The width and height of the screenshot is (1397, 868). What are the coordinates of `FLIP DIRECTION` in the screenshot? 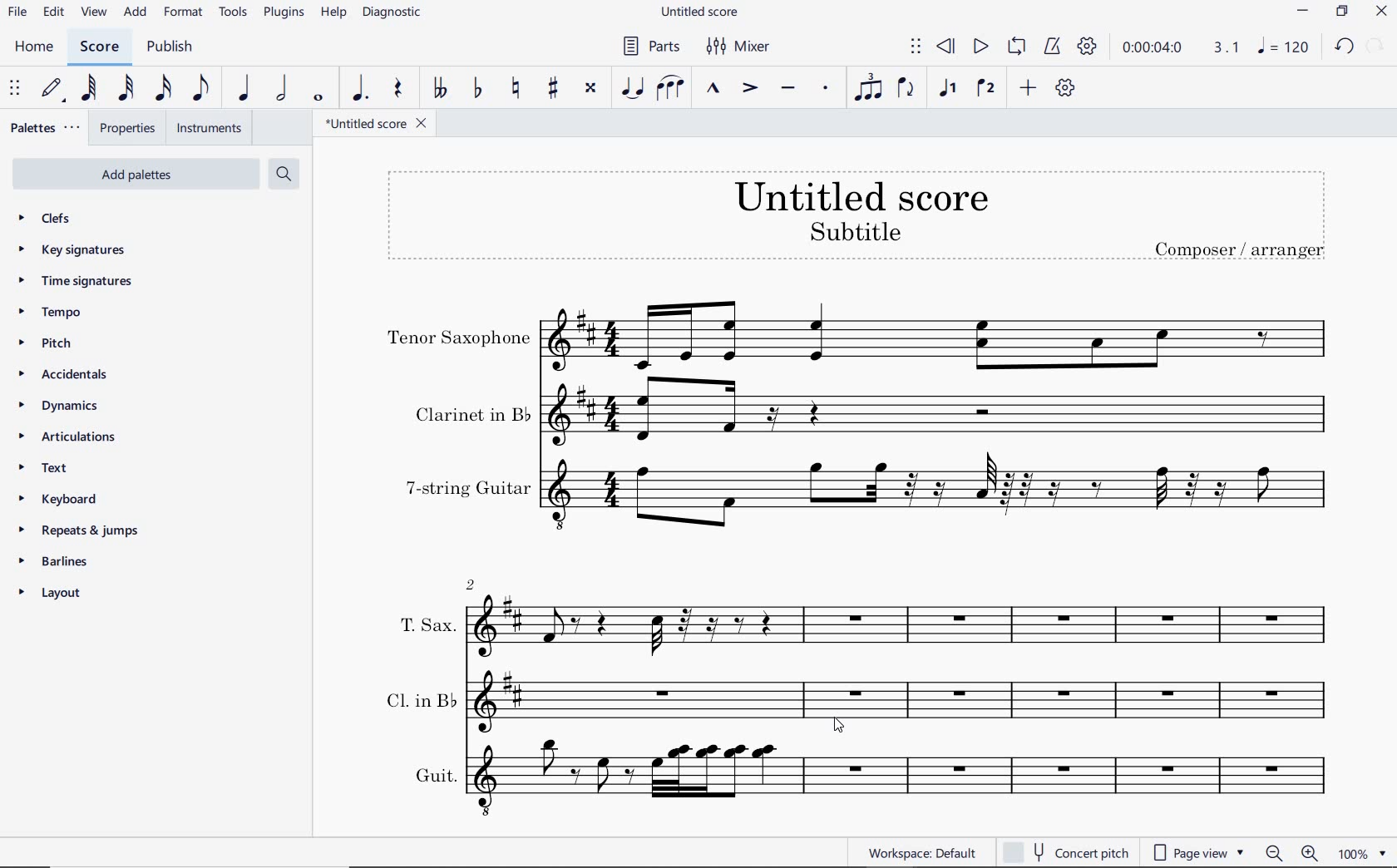 It's located at (907, 90).